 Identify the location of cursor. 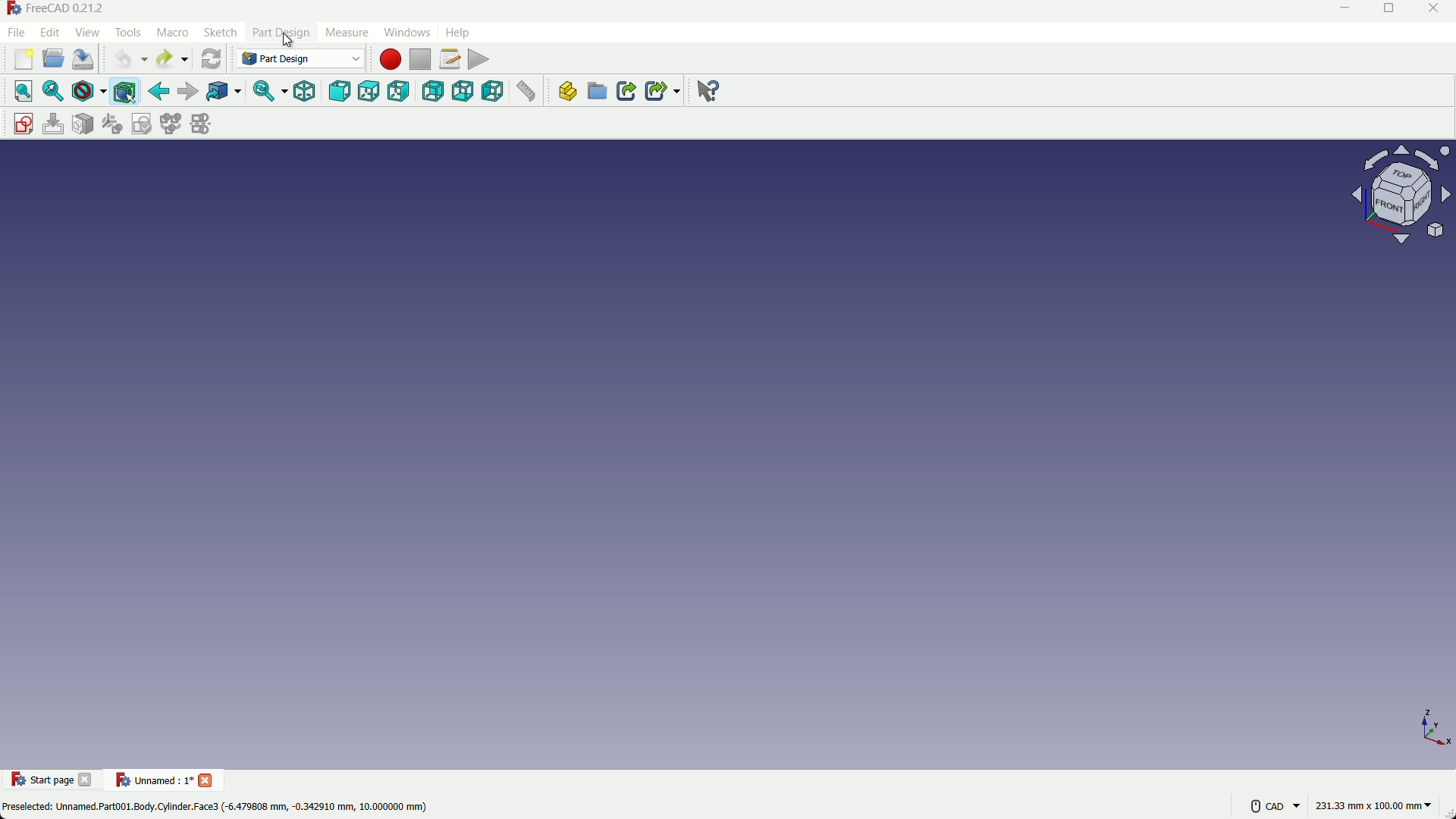
(288, 42).